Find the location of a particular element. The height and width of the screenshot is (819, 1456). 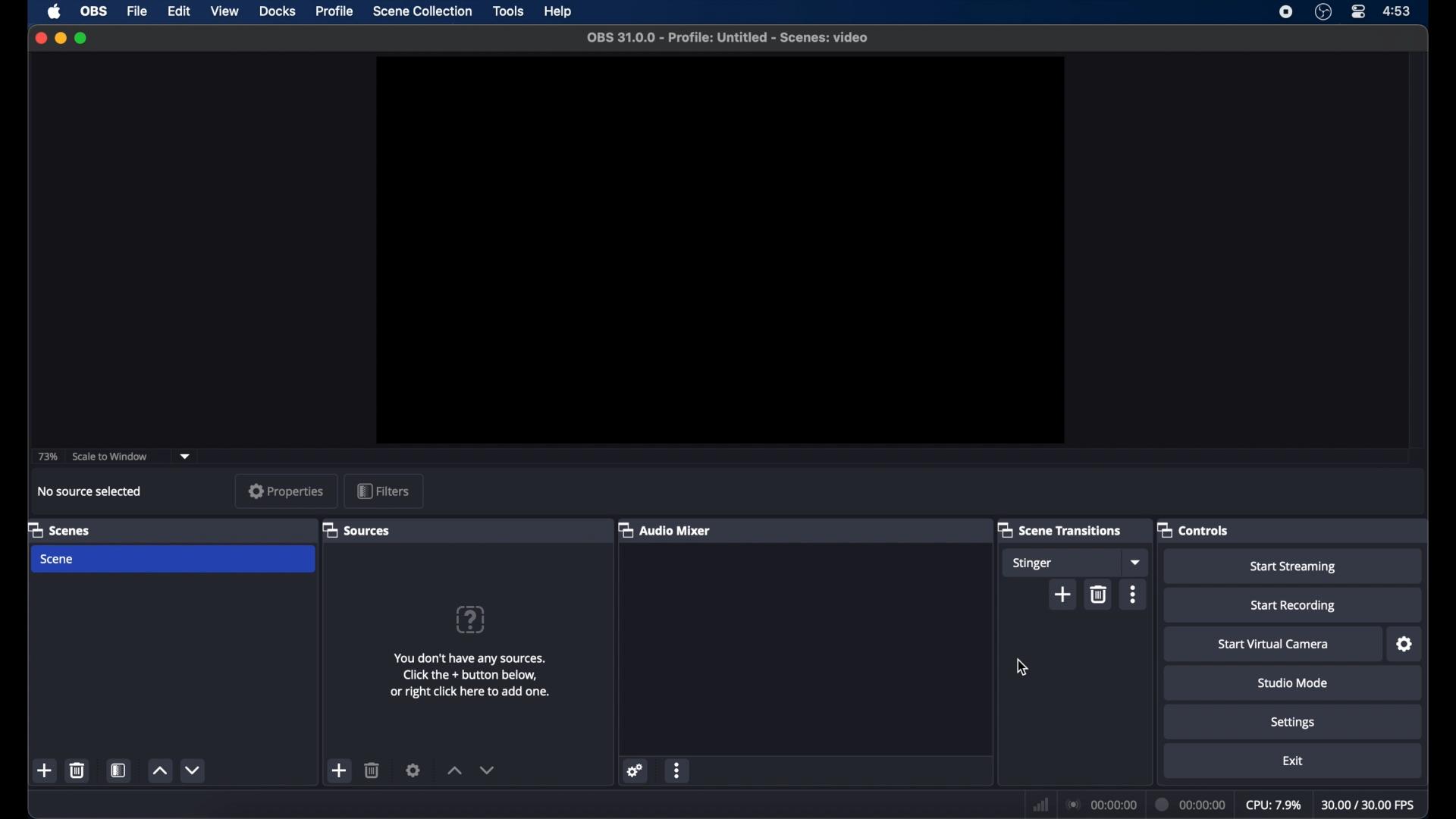

dropdown is located at coordinates (185, 456).